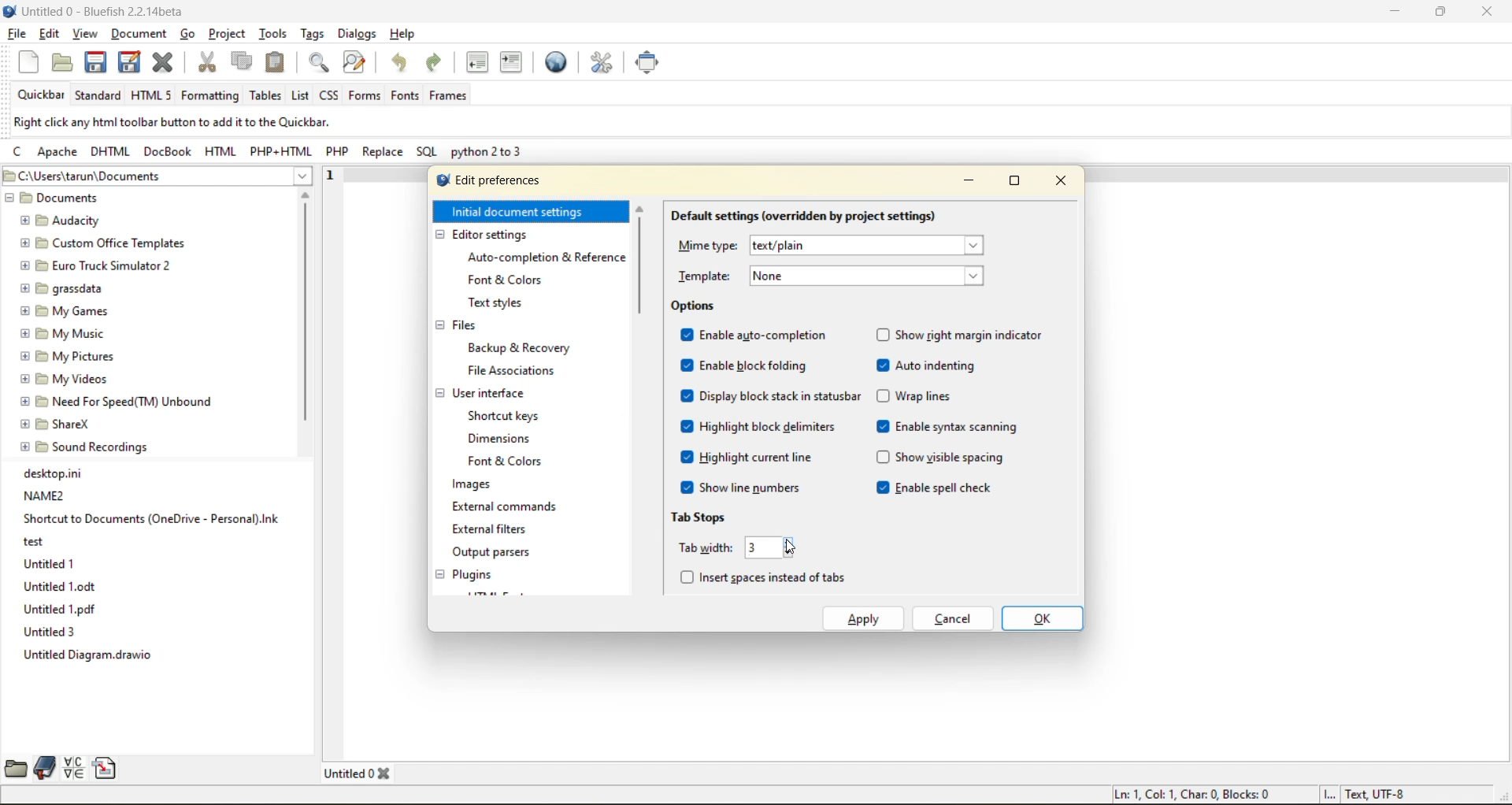 The image size is (1512, 805). Describe the element at coordinates (728, 547) in the screenshot. I see `tab width` at that location.